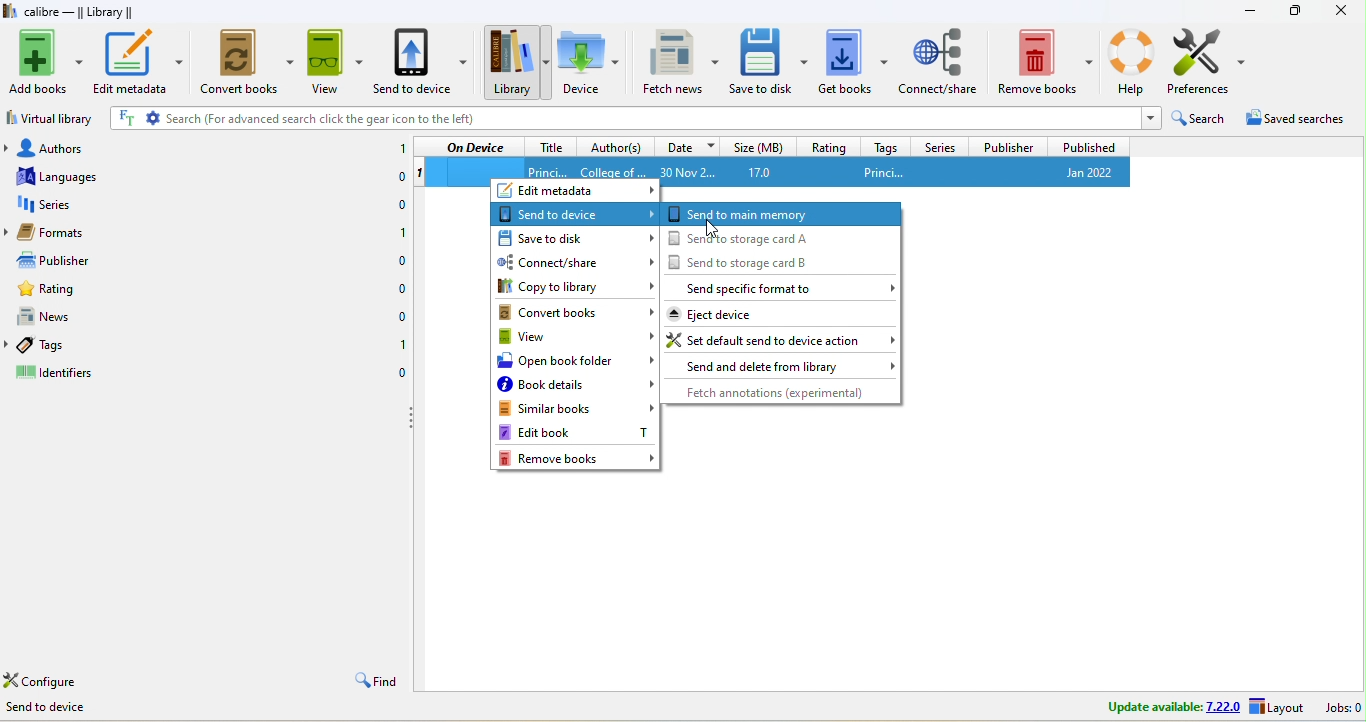 The width and height of the screenshot is (1366, 722). I want to click on series, so click(58, 204).